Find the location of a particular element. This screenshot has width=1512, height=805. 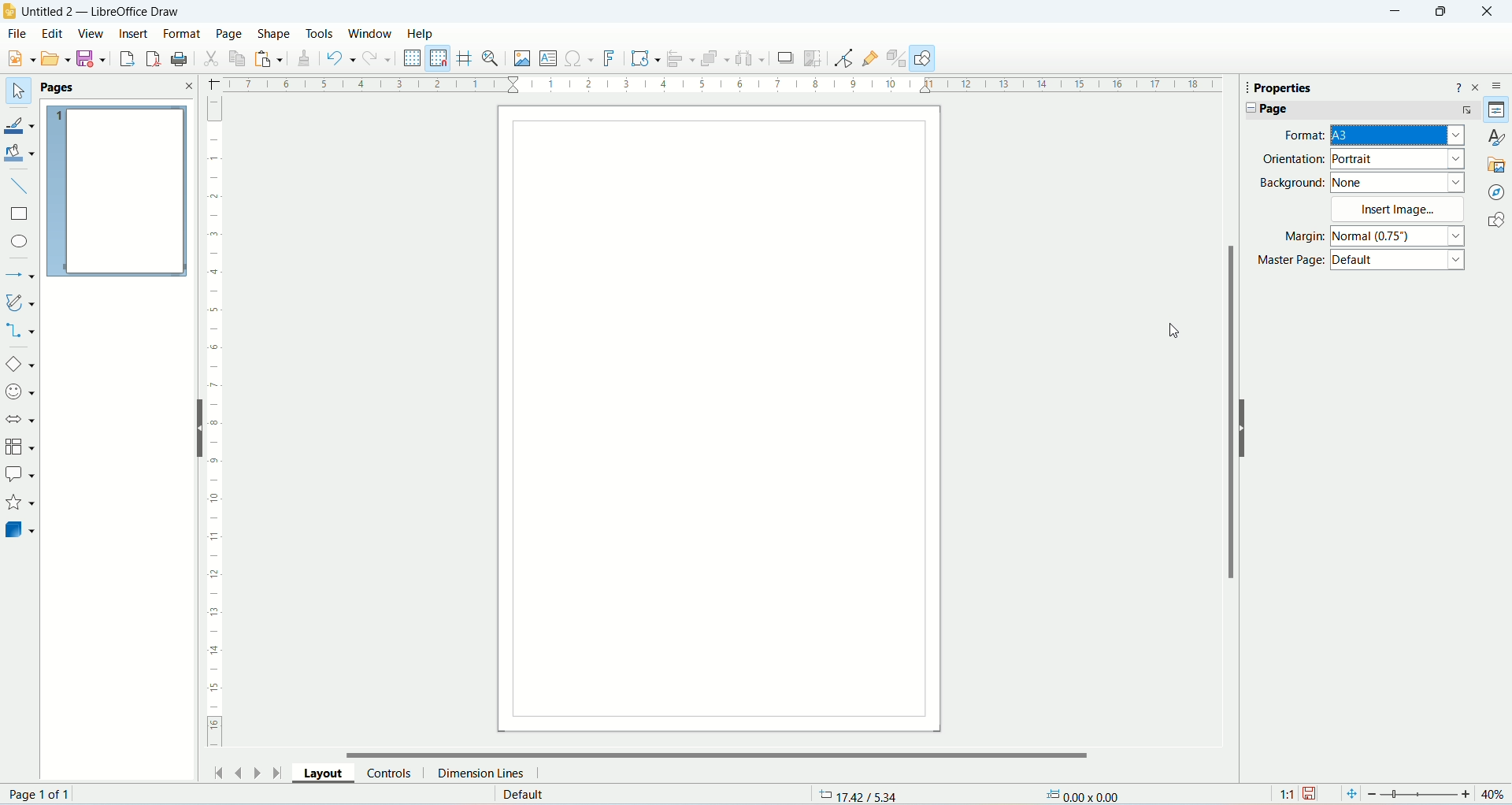

master page is located at coordinates (1359, 260).